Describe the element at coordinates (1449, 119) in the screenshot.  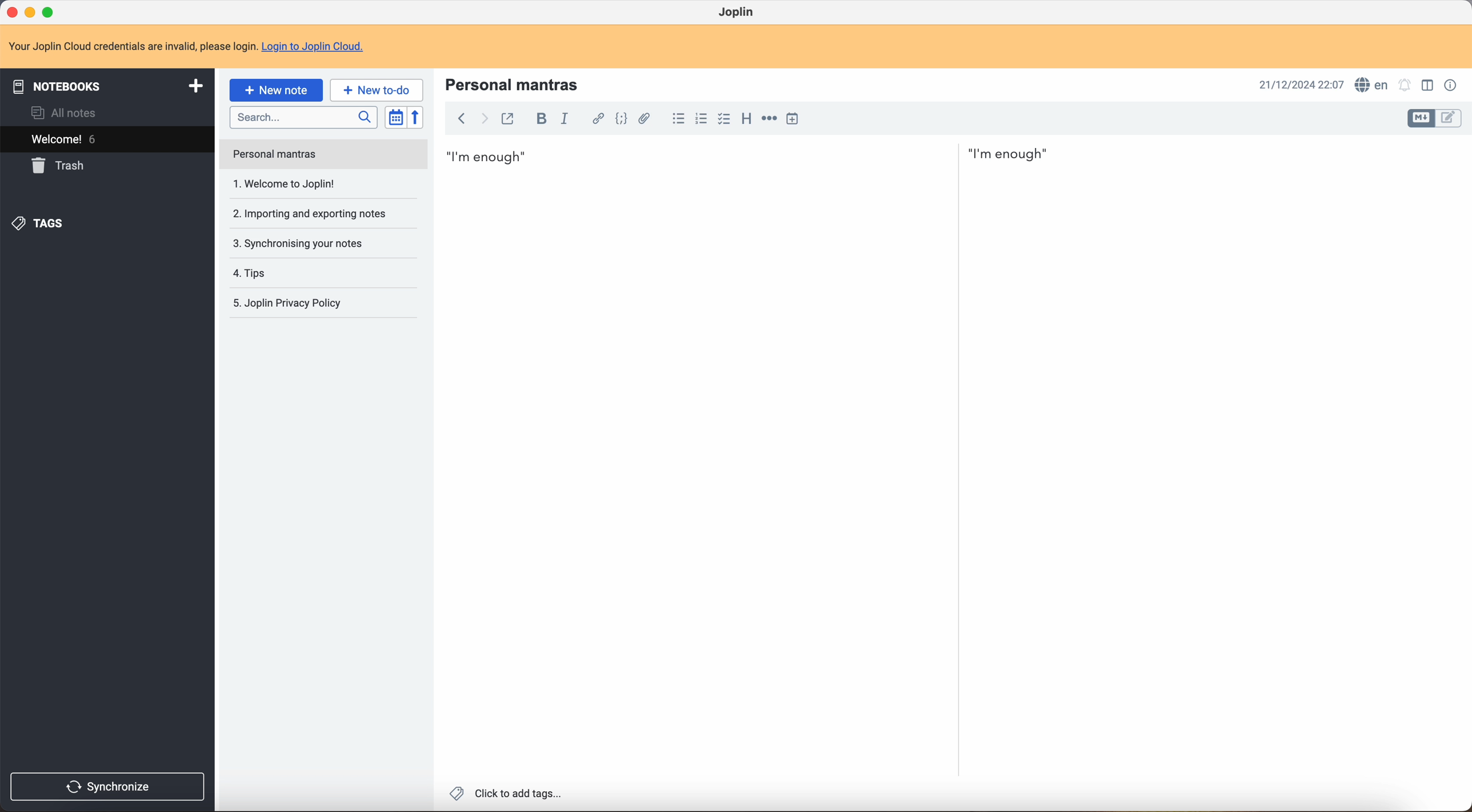
I see `toggle edit layout` at that location.